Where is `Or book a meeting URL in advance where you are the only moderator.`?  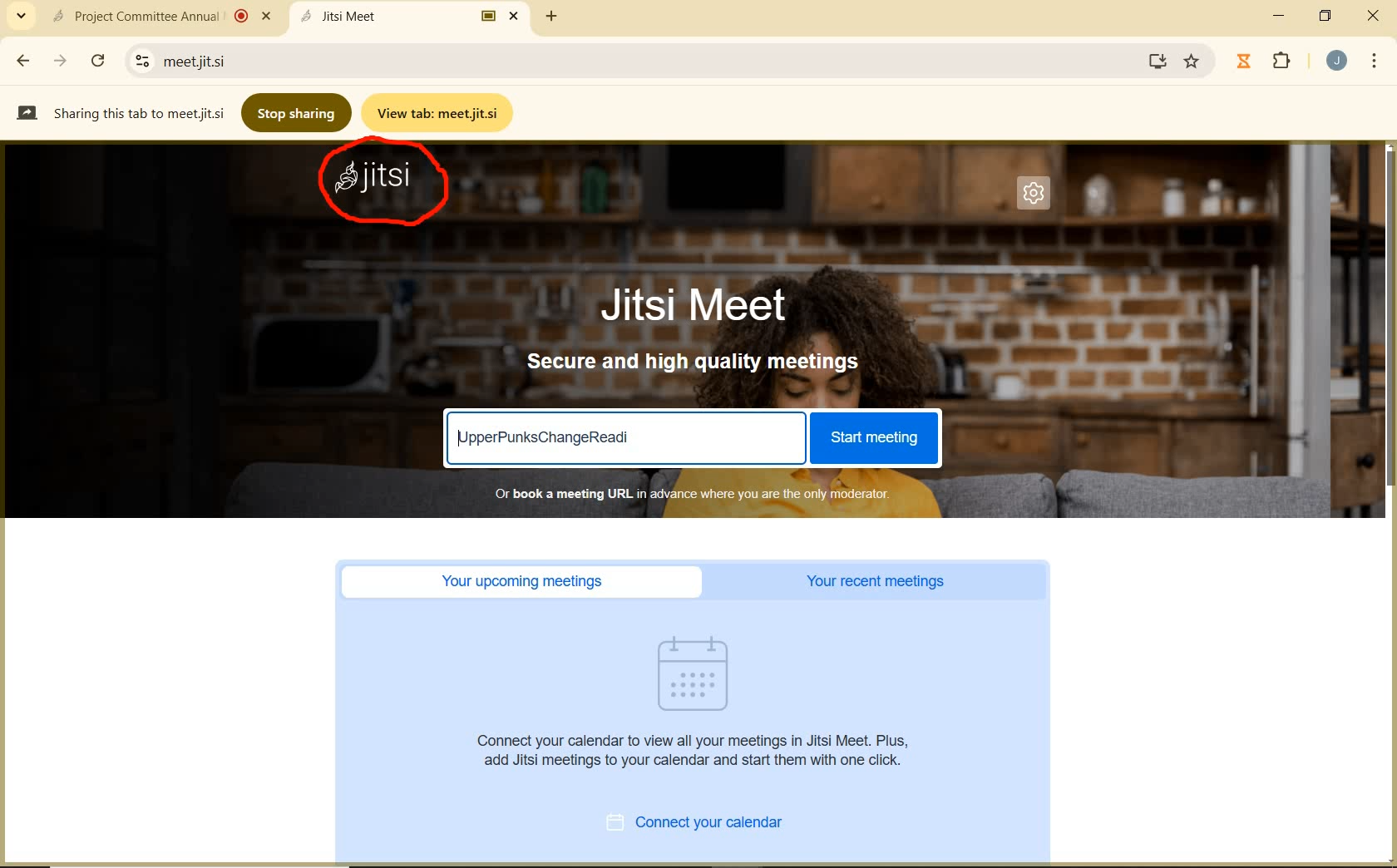
Or book a meeting URL in advance where you are the only moderator. is located at coordinates (690, 493).